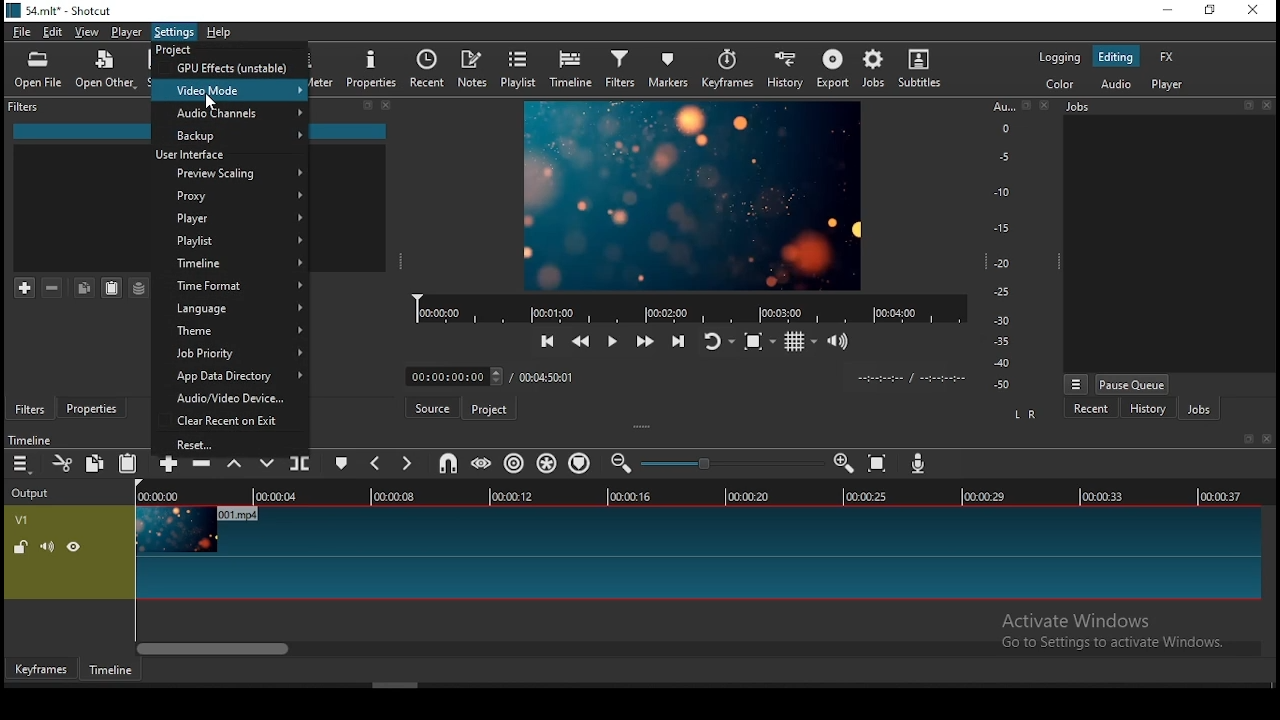 Image resolution: width=1280 pixels, height=720 pixels. I want to click on 00:00:29, so click(987, 496).